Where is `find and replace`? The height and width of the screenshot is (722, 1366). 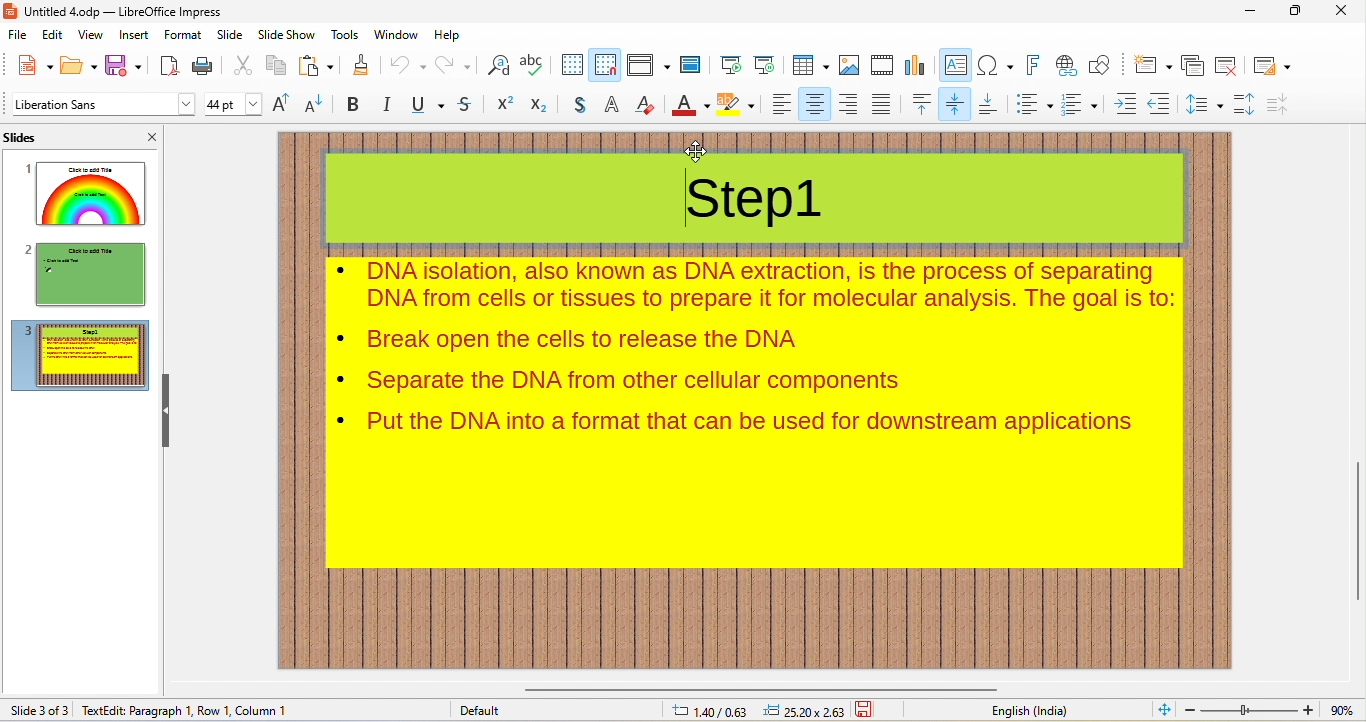
find and replace is located at coordinates (499, 65).